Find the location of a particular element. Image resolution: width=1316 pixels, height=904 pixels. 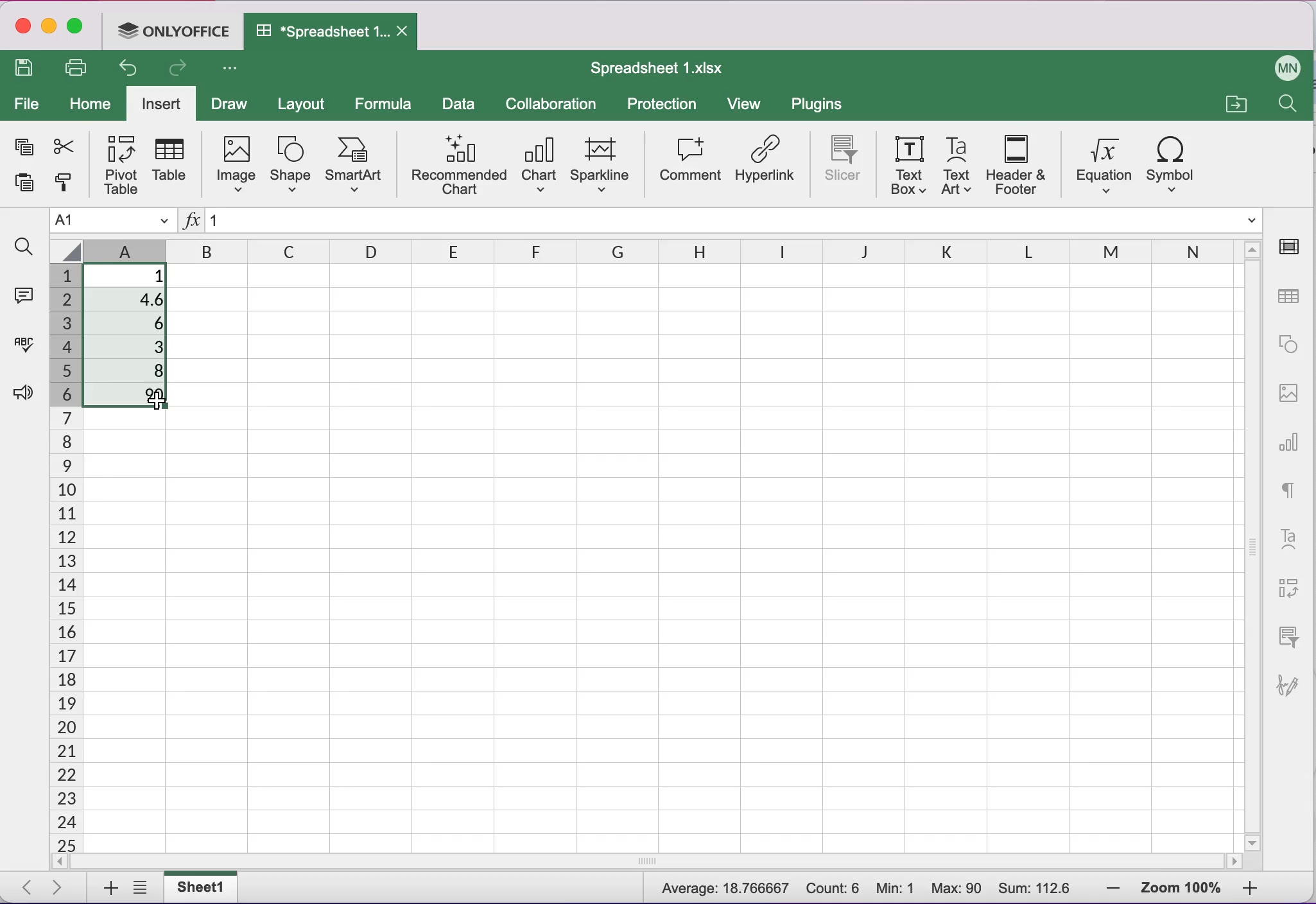

text box is located at coordinates (906, 164).